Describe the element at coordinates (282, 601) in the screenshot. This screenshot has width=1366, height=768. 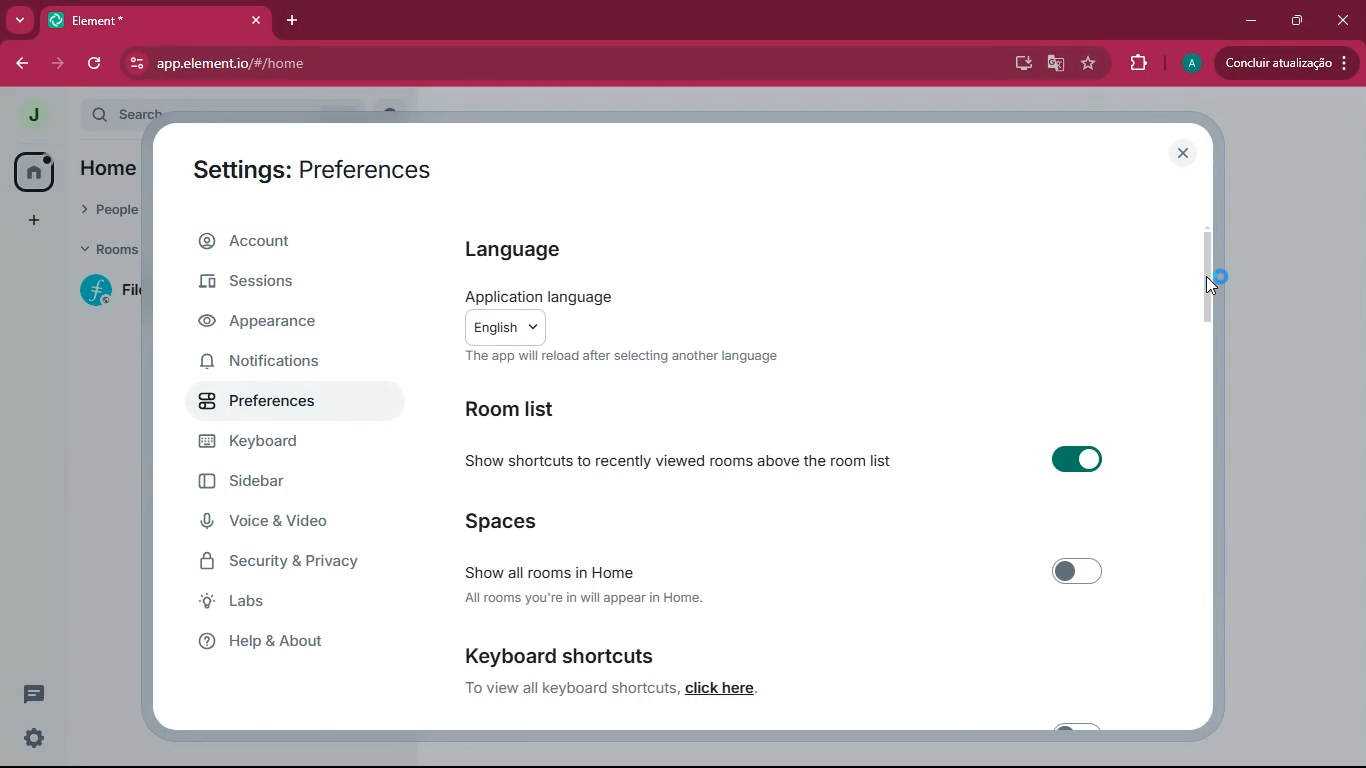
I see `Labs` at that location.